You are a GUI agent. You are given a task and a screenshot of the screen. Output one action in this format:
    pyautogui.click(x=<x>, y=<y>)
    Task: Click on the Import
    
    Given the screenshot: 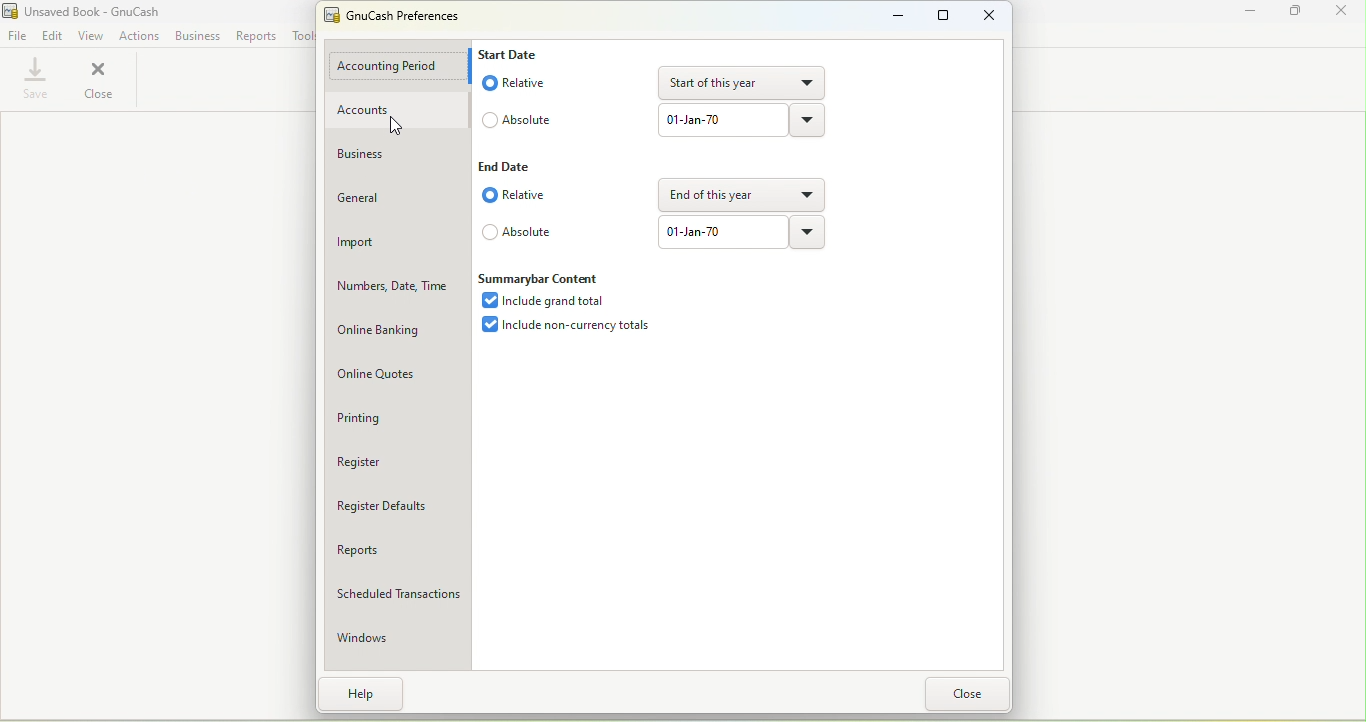 What is the action you would take?
    pyautogui.click(x=400, y=244)
    